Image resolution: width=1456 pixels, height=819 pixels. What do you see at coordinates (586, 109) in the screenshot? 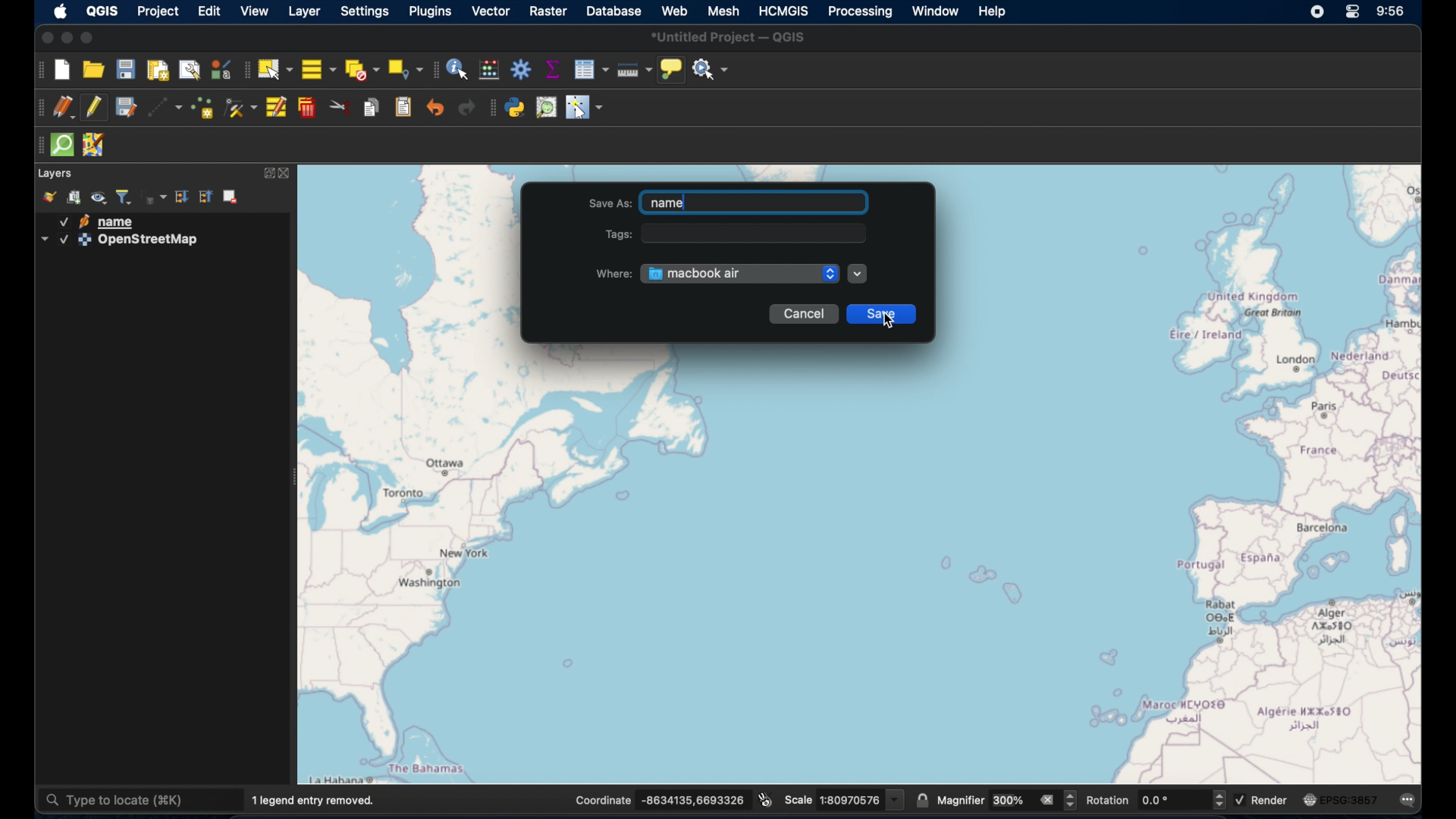
I see `switches cursor to configurable pointer` at bounding box center [586, 109].